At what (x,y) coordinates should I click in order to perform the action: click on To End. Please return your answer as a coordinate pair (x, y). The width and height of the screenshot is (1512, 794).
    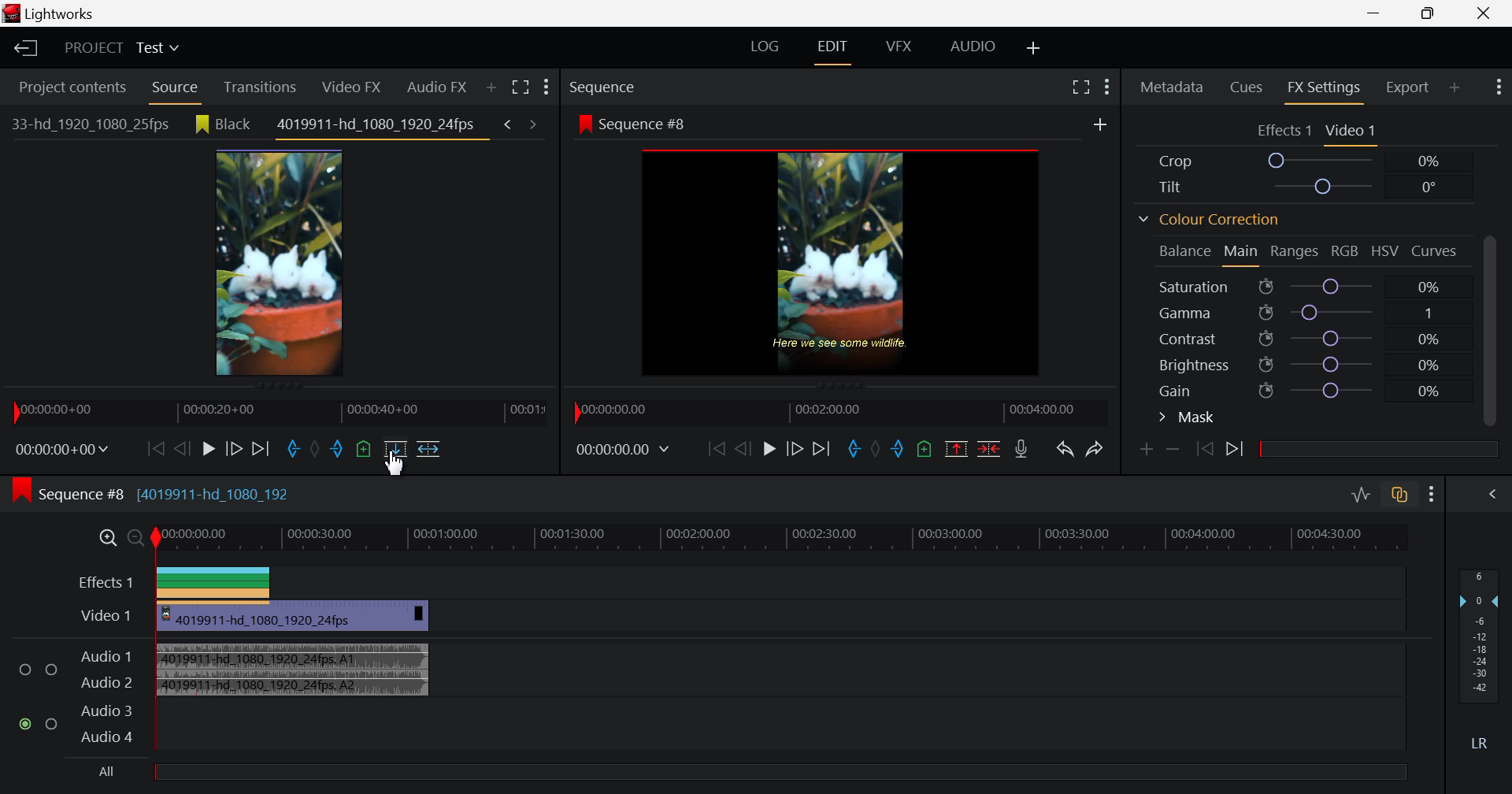
    Looking at the image, I should click on (824, 449).